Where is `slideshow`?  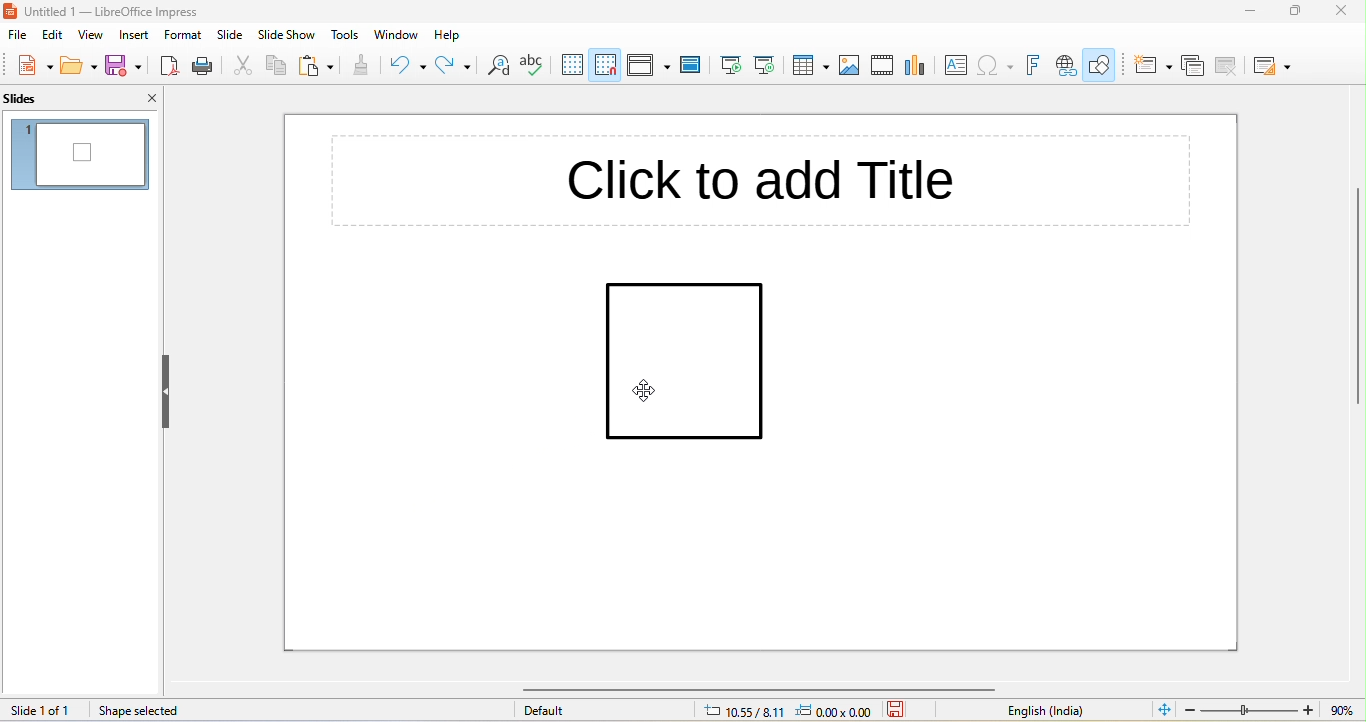
slideshow is located at coordinates (287, 34).